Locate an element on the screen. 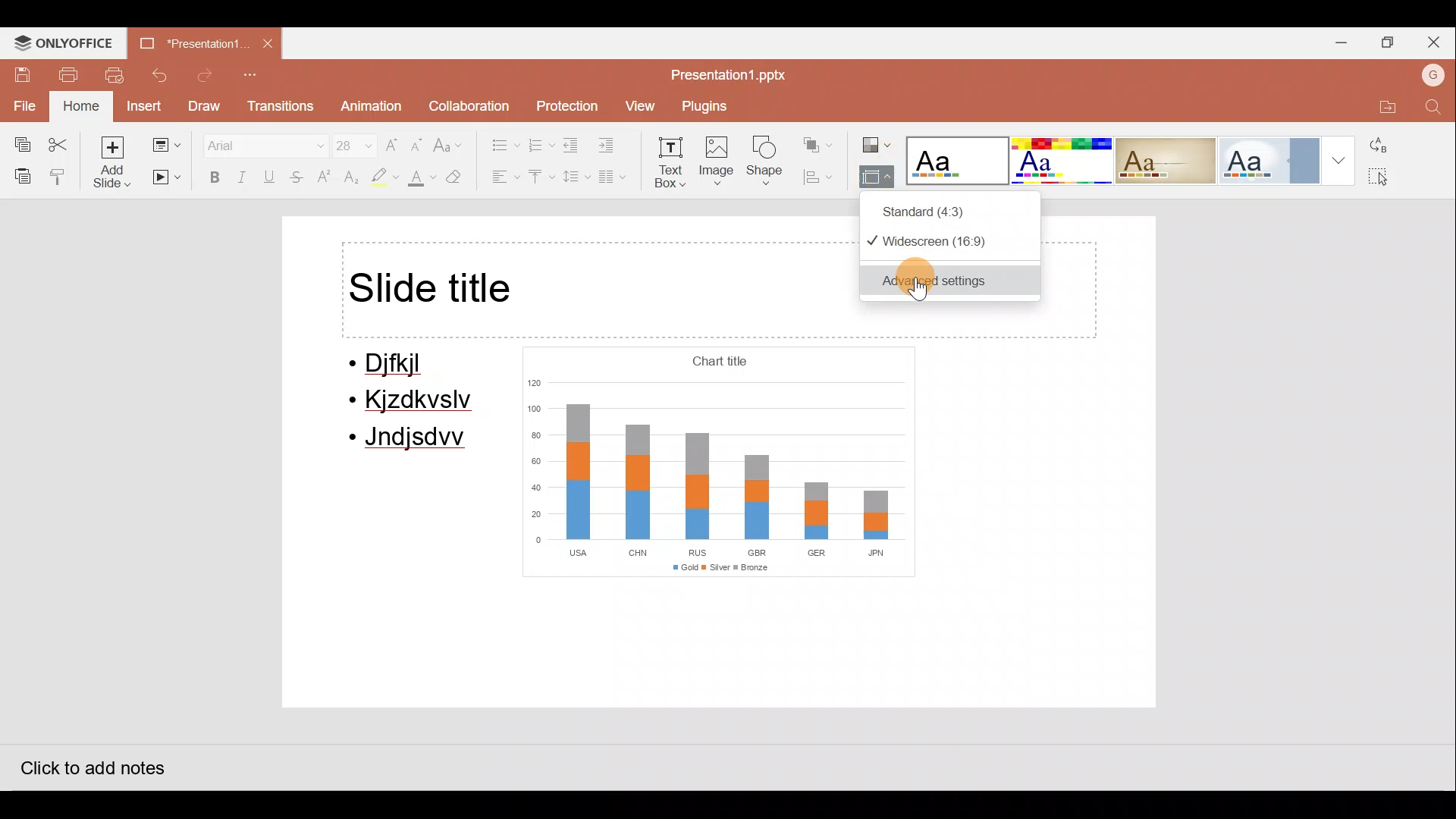  Home is located at coordinates (79, 107).